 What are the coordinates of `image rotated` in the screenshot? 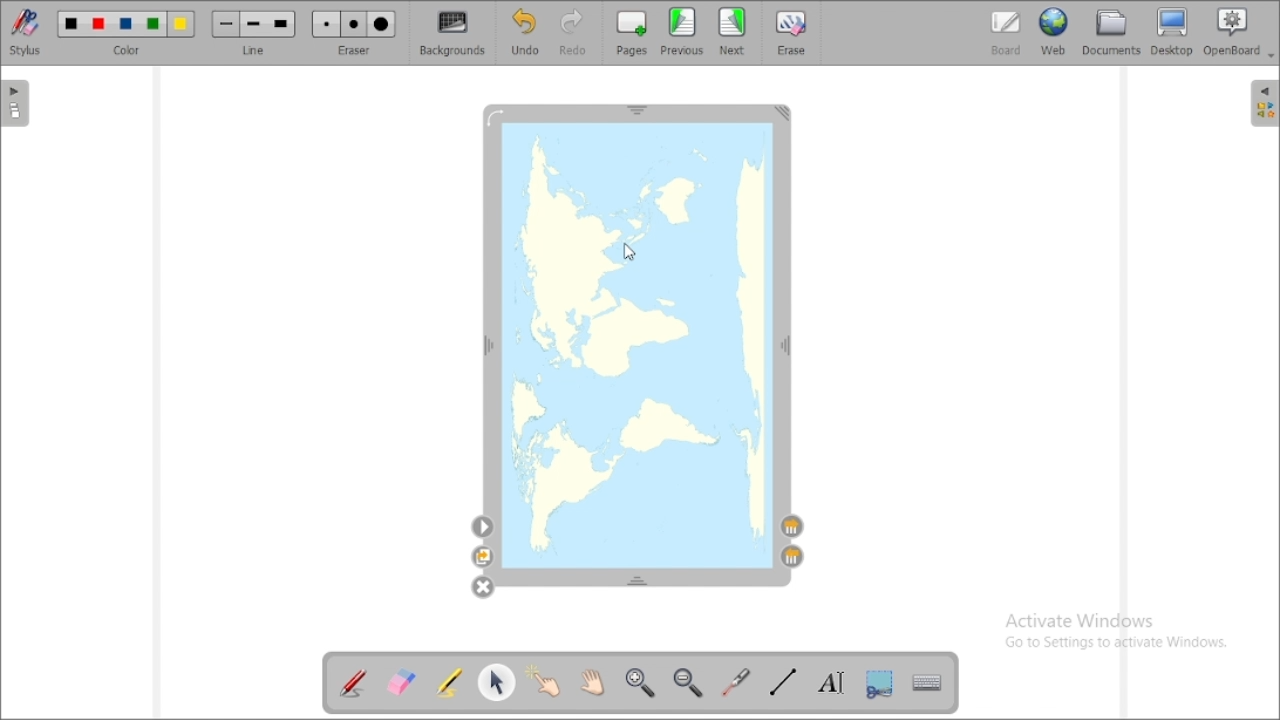 It's located at (636, 341).